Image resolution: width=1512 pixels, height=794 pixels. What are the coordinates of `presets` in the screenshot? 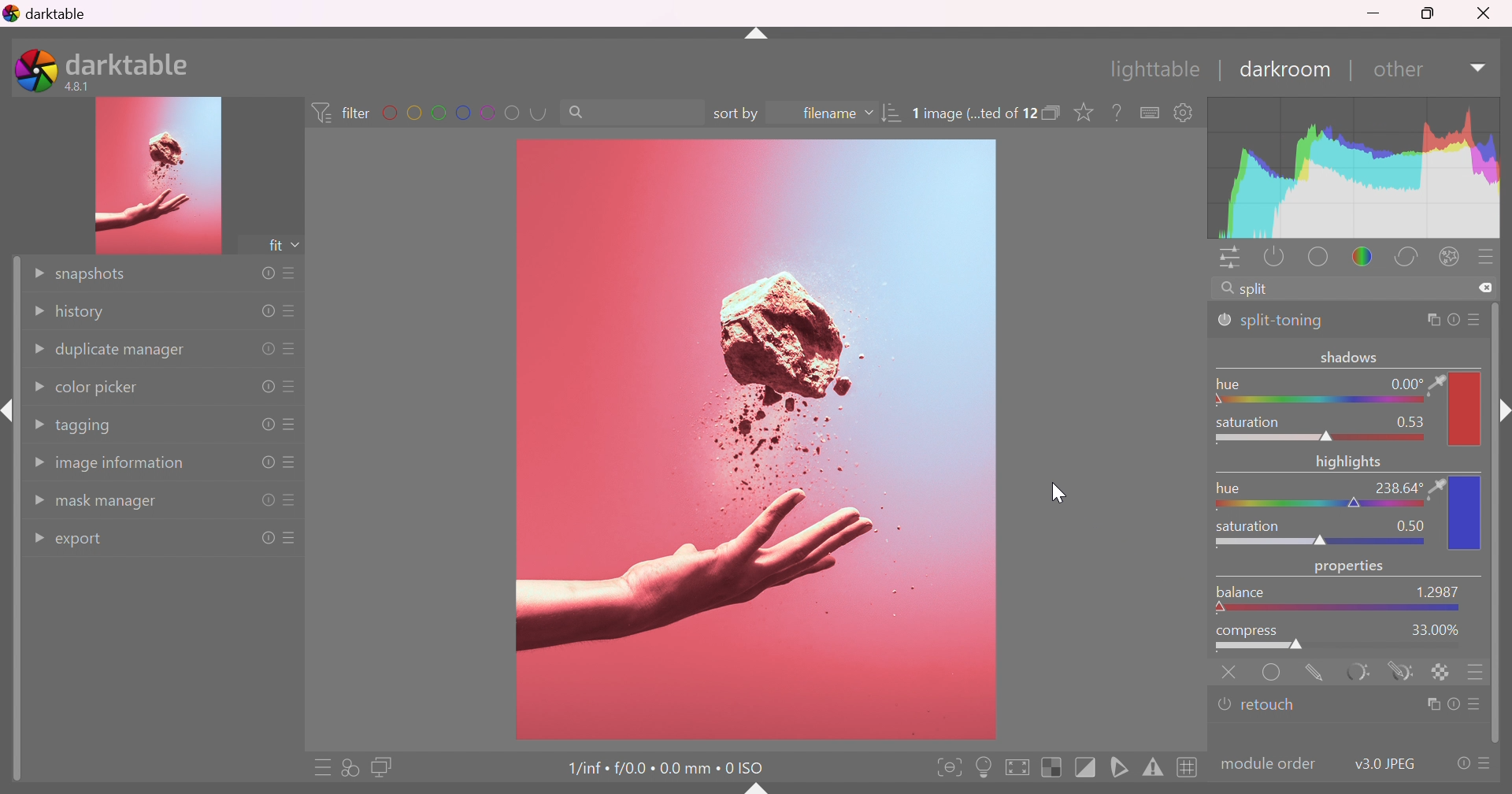 It's located at (291, 463).